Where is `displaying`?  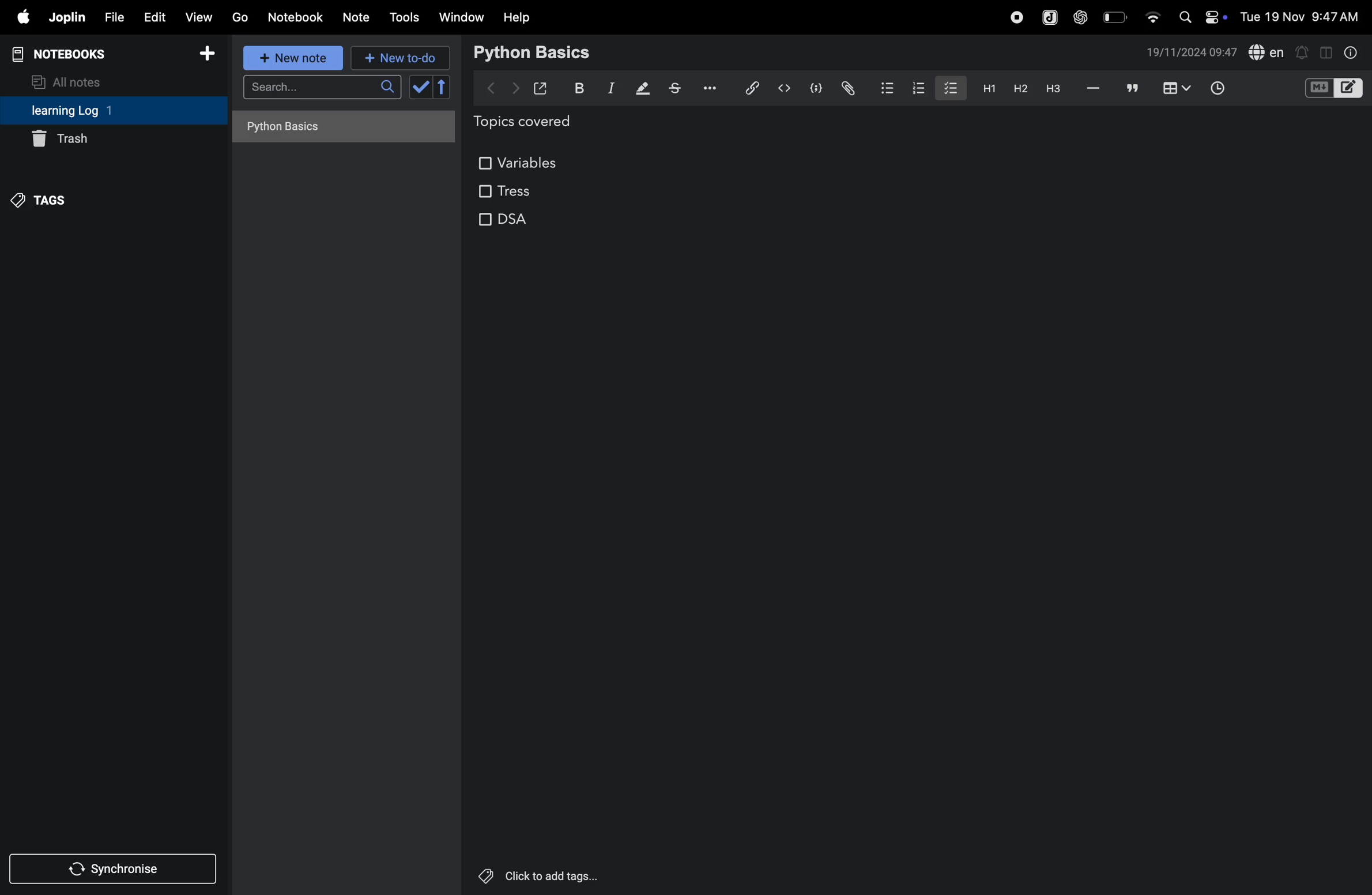
displaying is located at coordinates (643, 89).